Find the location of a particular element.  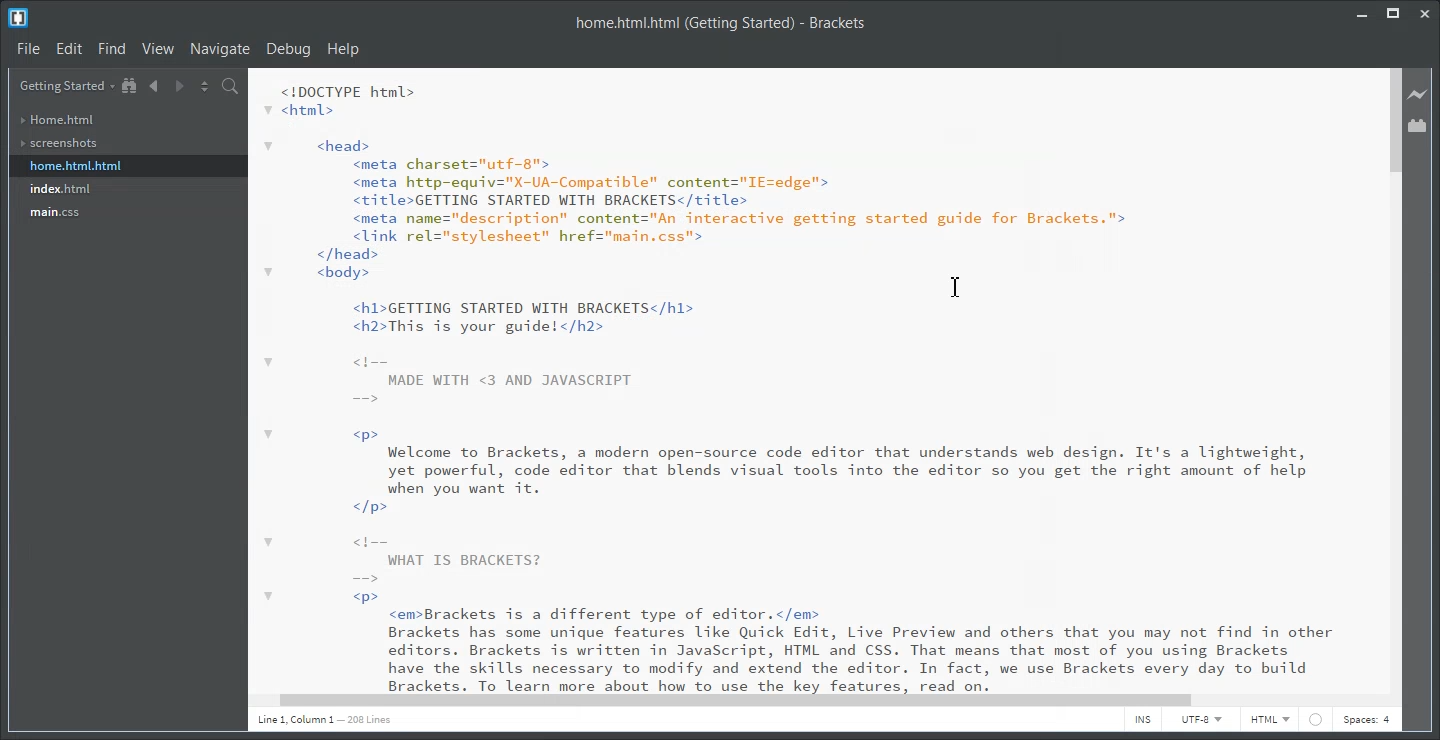

index.html is located at coordinates (60, 190).